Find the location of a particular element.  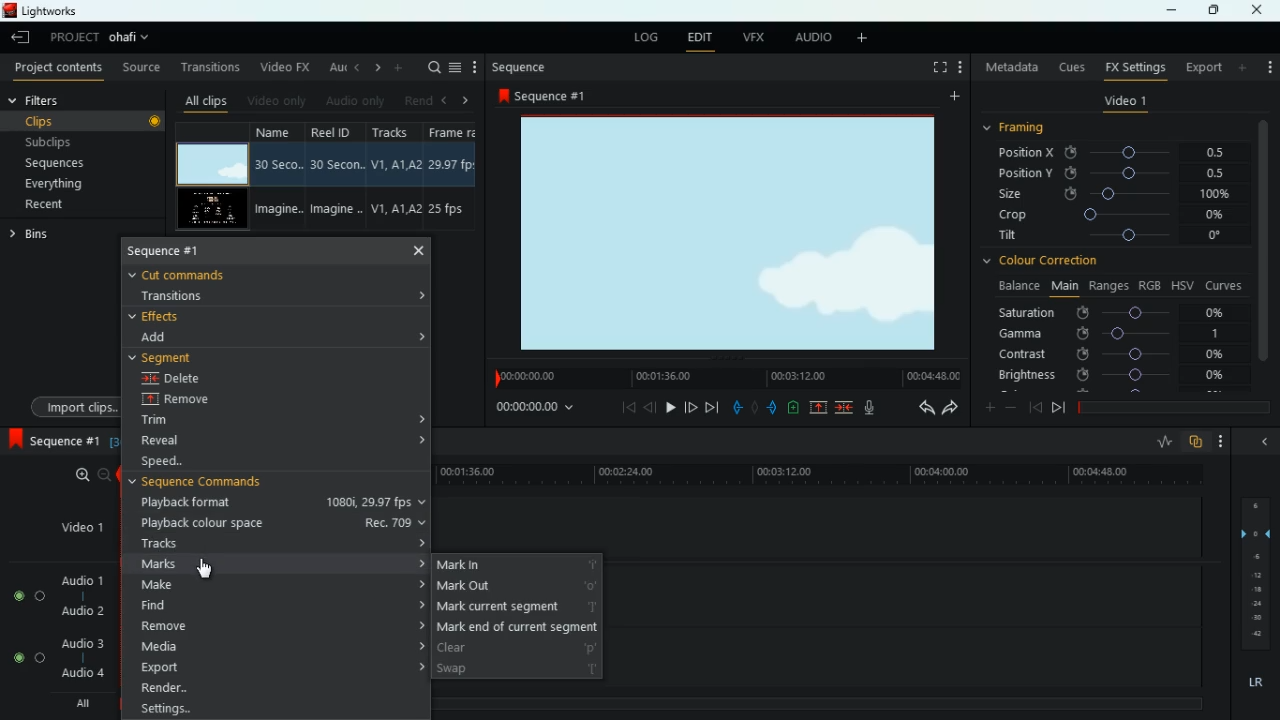

export is located at coordinates (1202, 67).